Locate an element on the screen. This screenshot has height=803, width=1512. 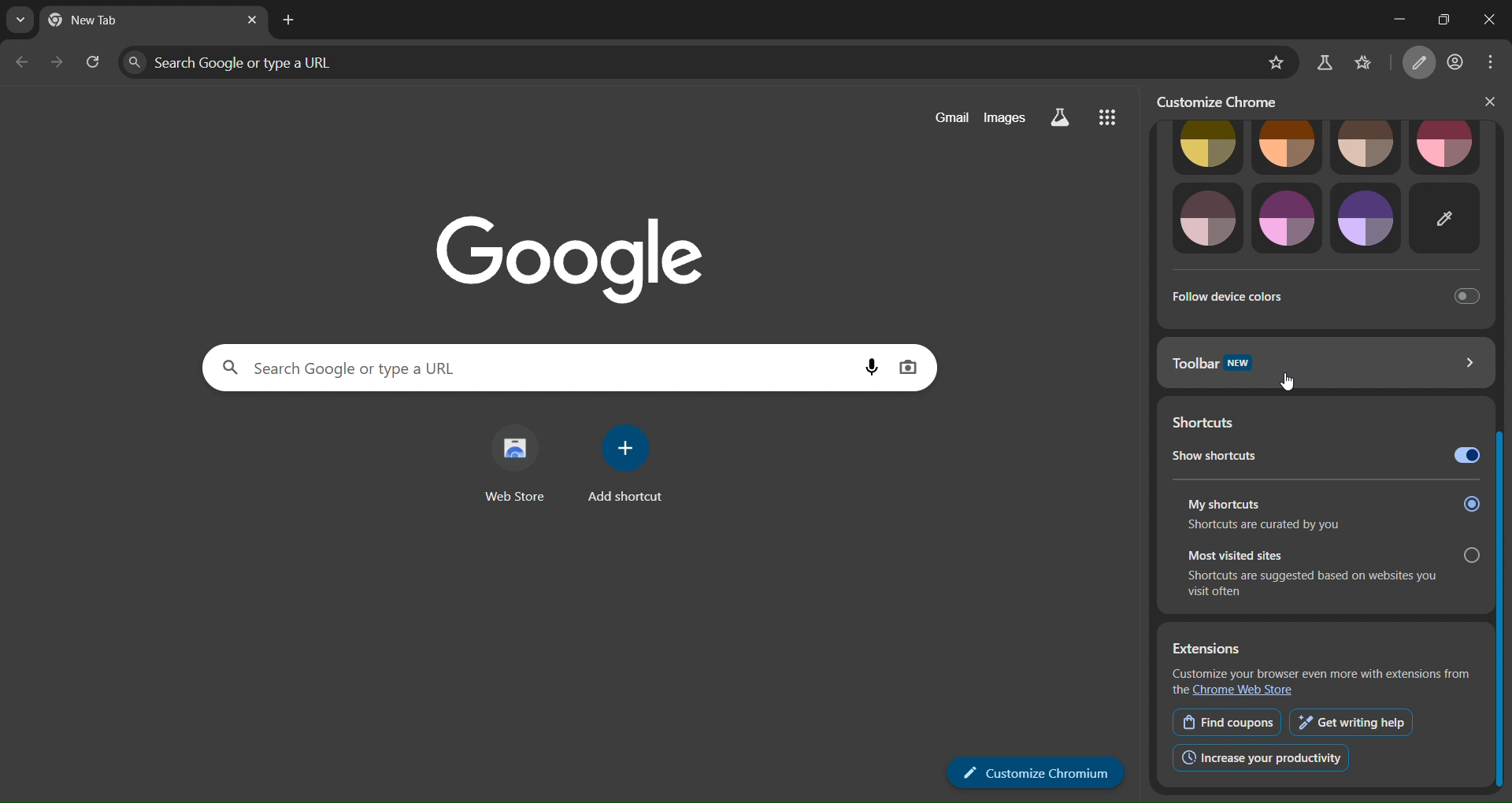
menu is located at coordinates (1496, 61).